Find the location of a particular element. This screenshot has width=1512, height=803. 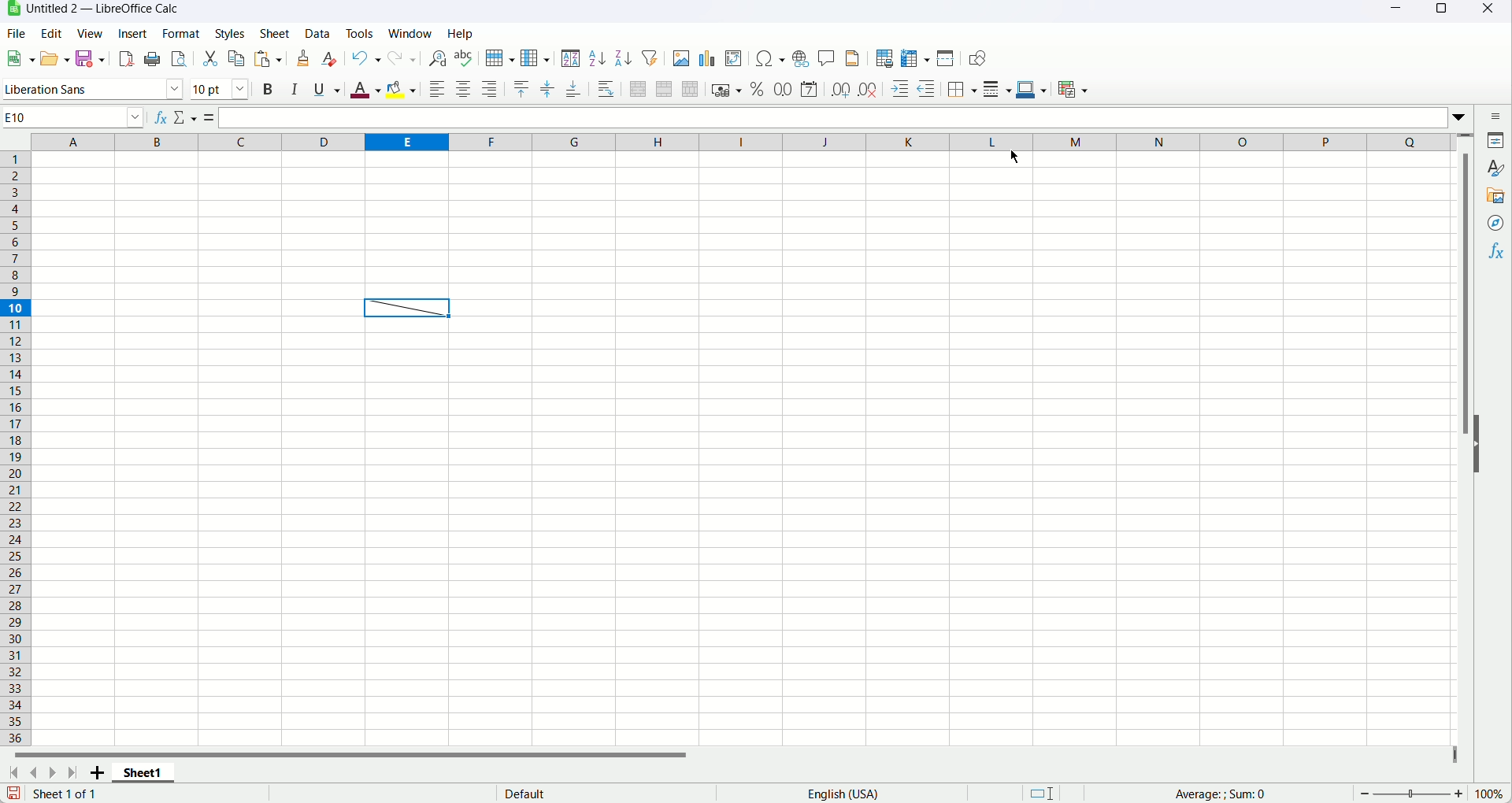

Tools is located at coordinates (358, 32).